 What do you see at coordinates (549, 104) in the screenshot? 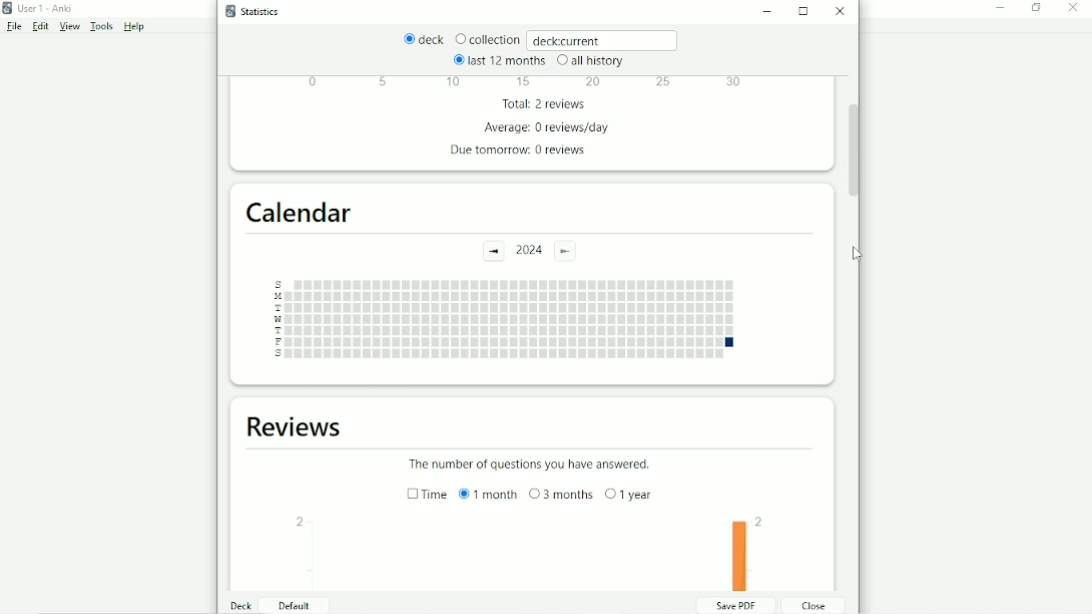
I see `Total: 2 reviews` at bounding box center [549, 104].